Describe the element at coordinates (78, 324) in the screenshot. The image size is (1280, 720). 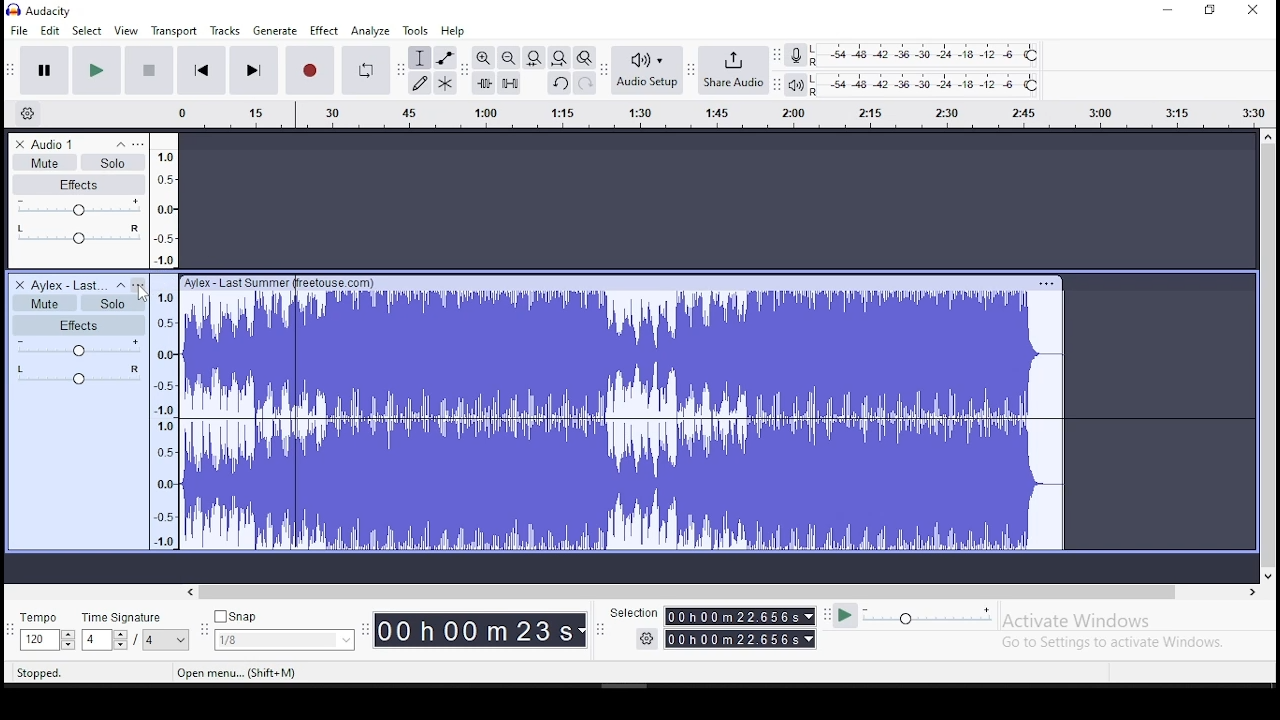
I see `effects` at that location.